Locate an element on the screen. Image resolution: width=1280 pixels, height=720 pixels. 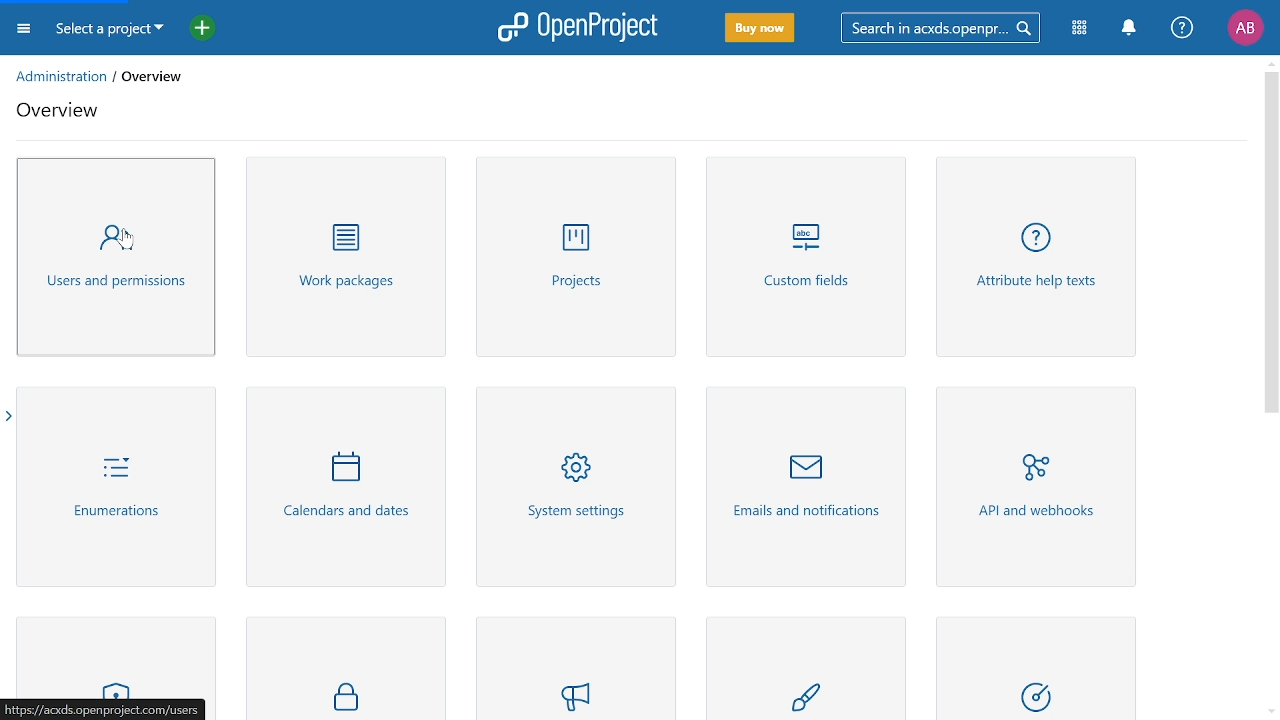
System settings is located at coordinates (574, 487).